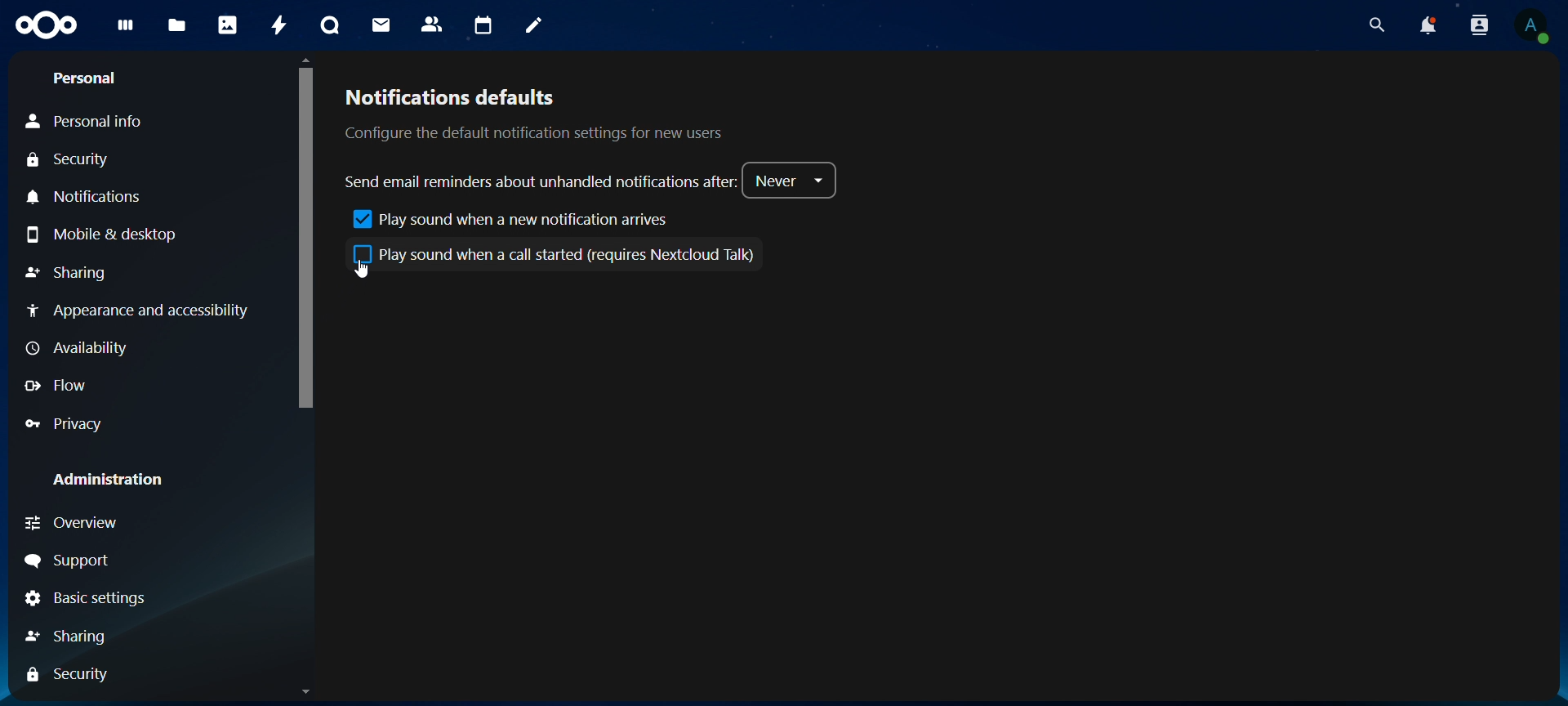 This screenshot has width=1568, height=706. What do you see at coordinates (66, 677) in the screenshot?
I see `Security` at bounding box center [66, 677].